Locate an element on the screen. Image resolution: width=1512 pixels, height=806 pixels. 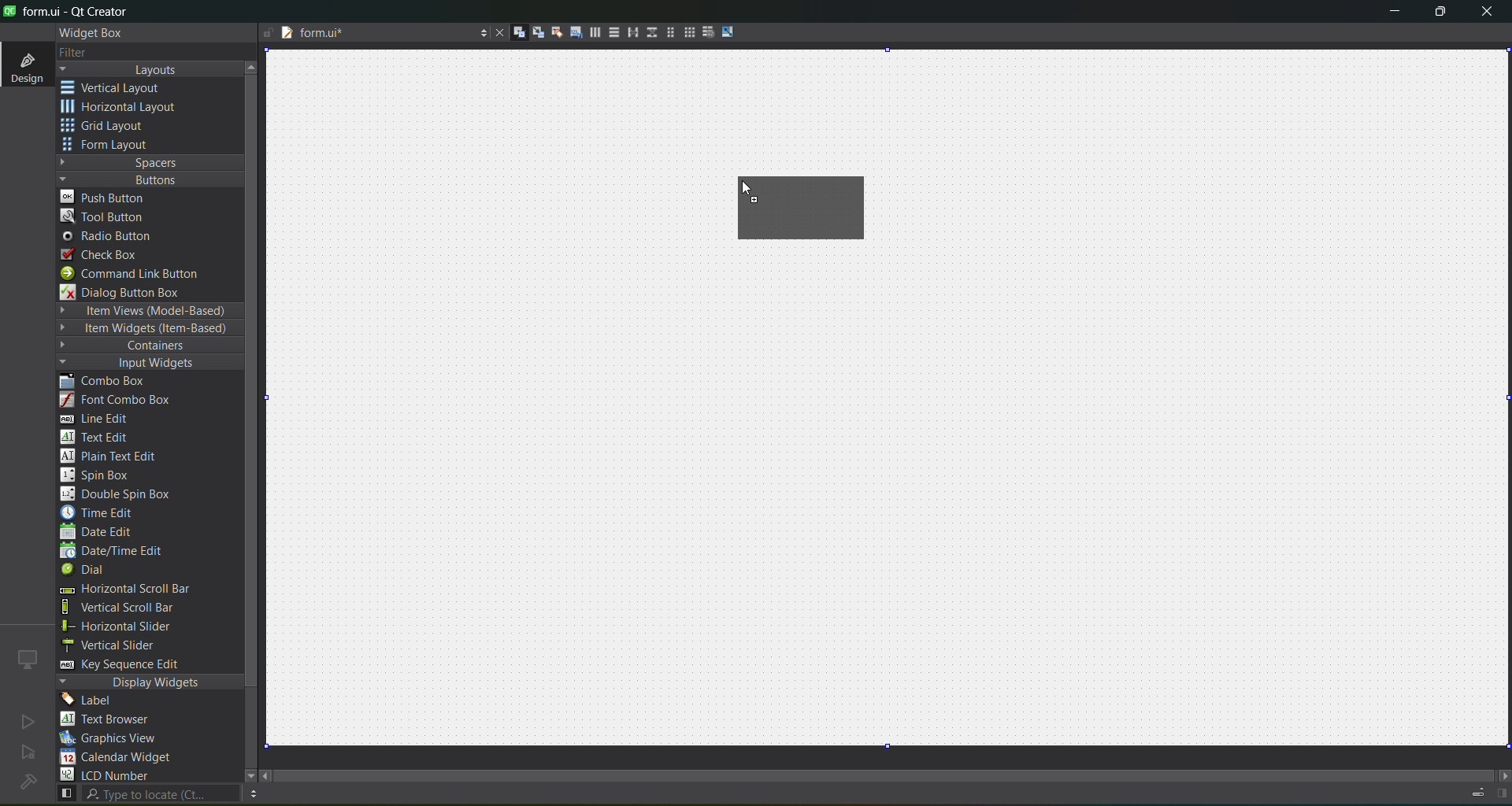
form is located at coordinates (110, 145).